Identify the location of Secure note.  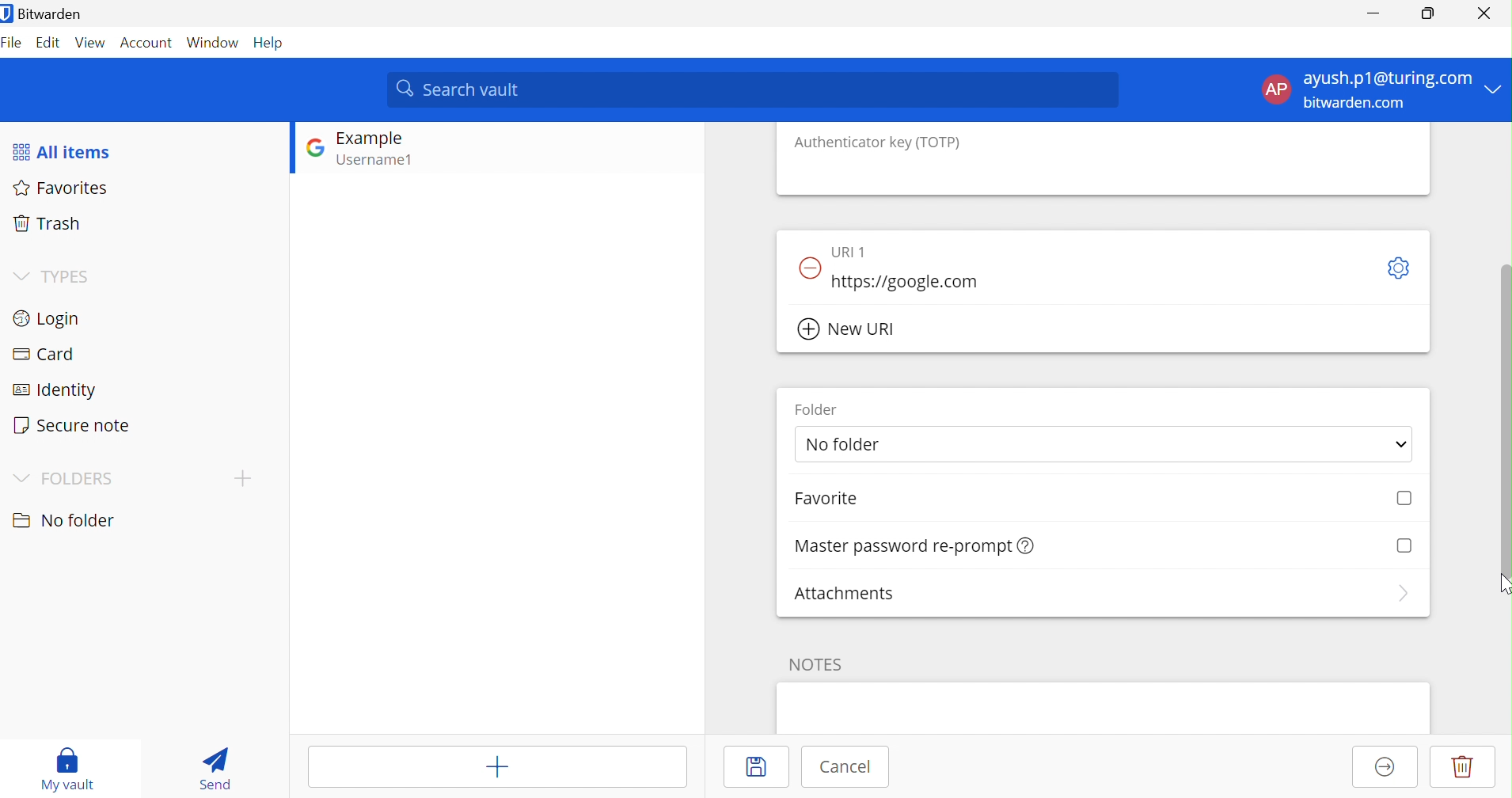
(73, 424).